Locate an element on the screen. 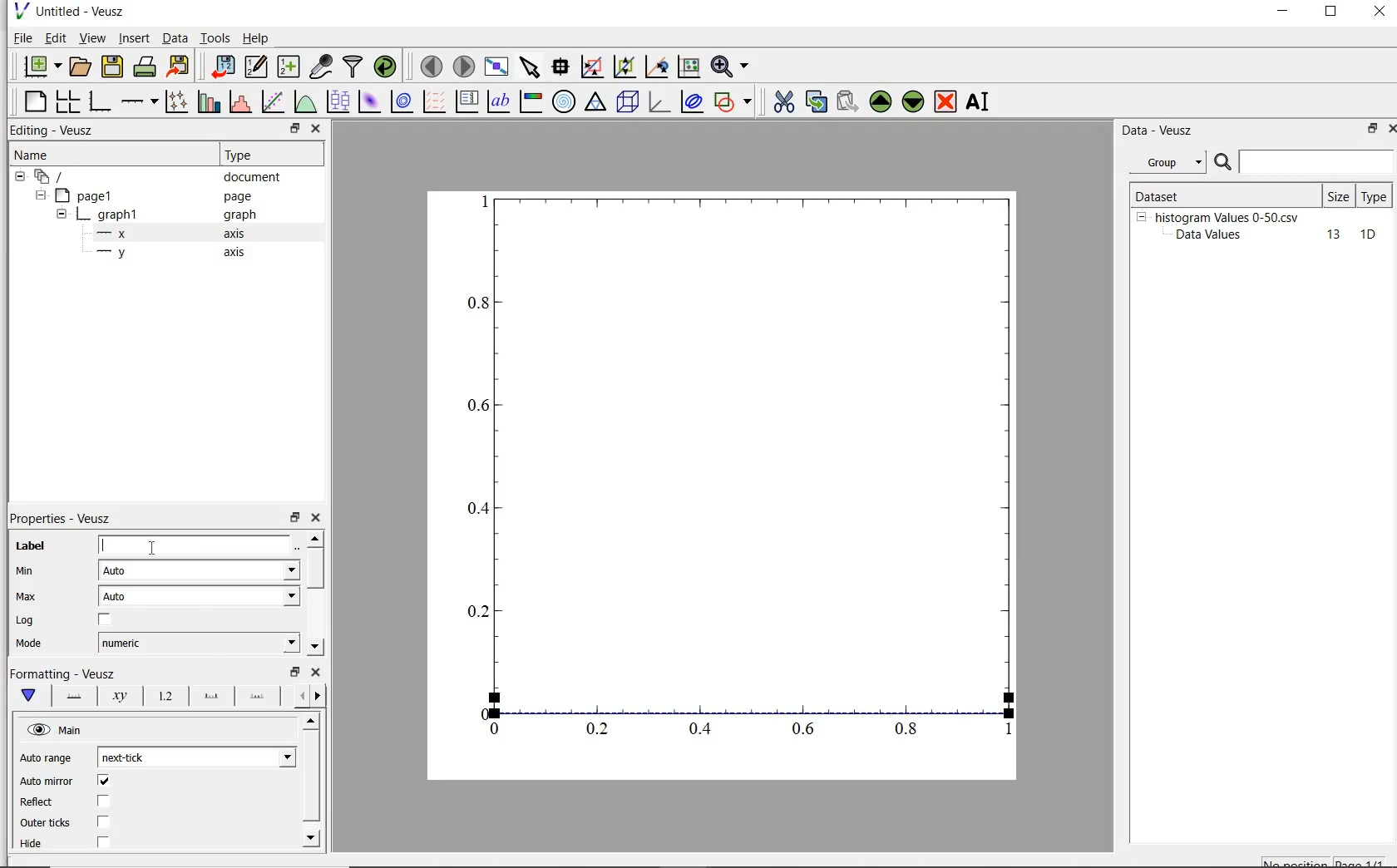  hide is located at coordinates (62, 215).